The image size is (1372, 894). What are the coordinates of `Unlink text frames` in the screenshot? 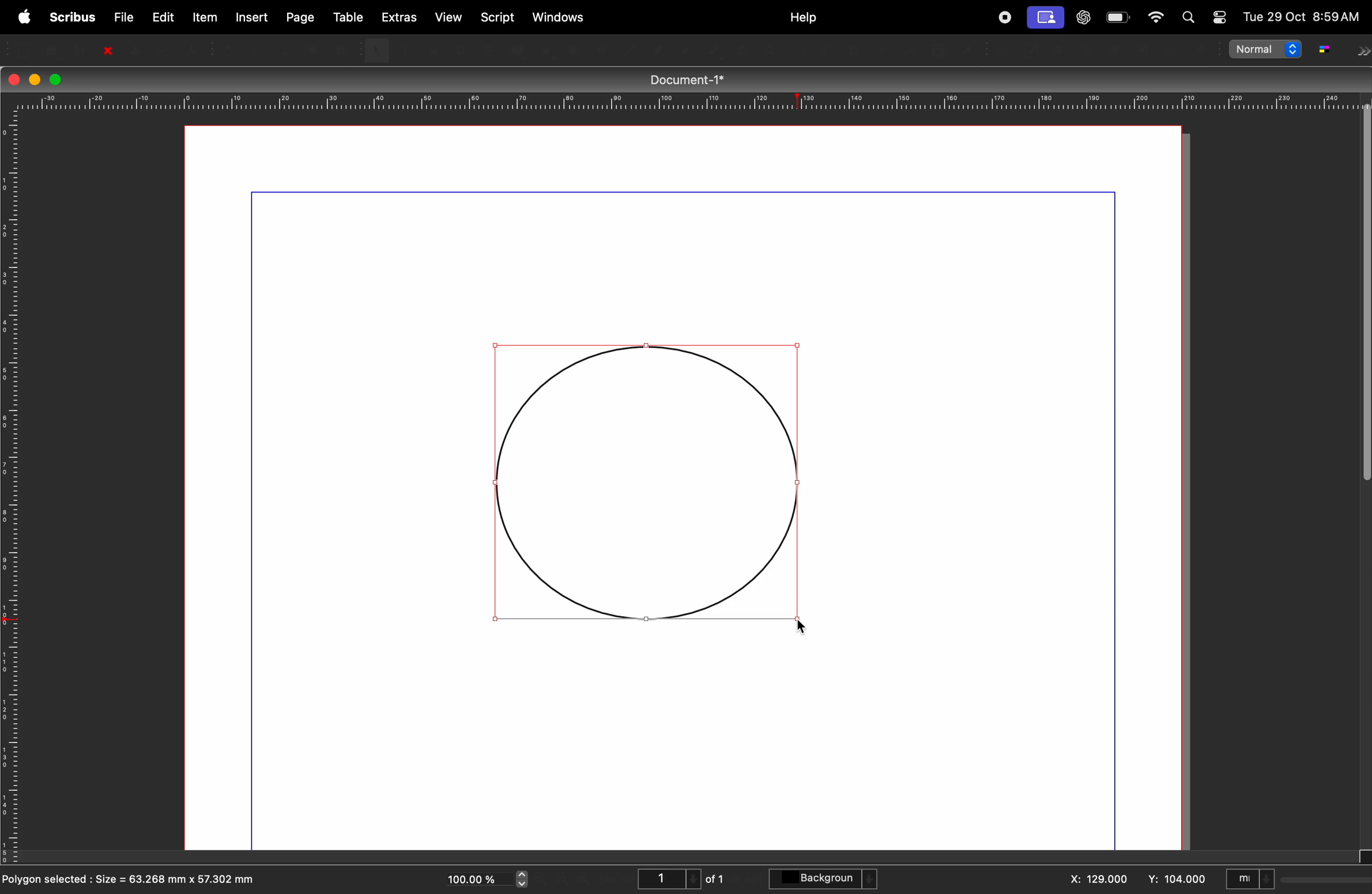 It's located at (881, 50).